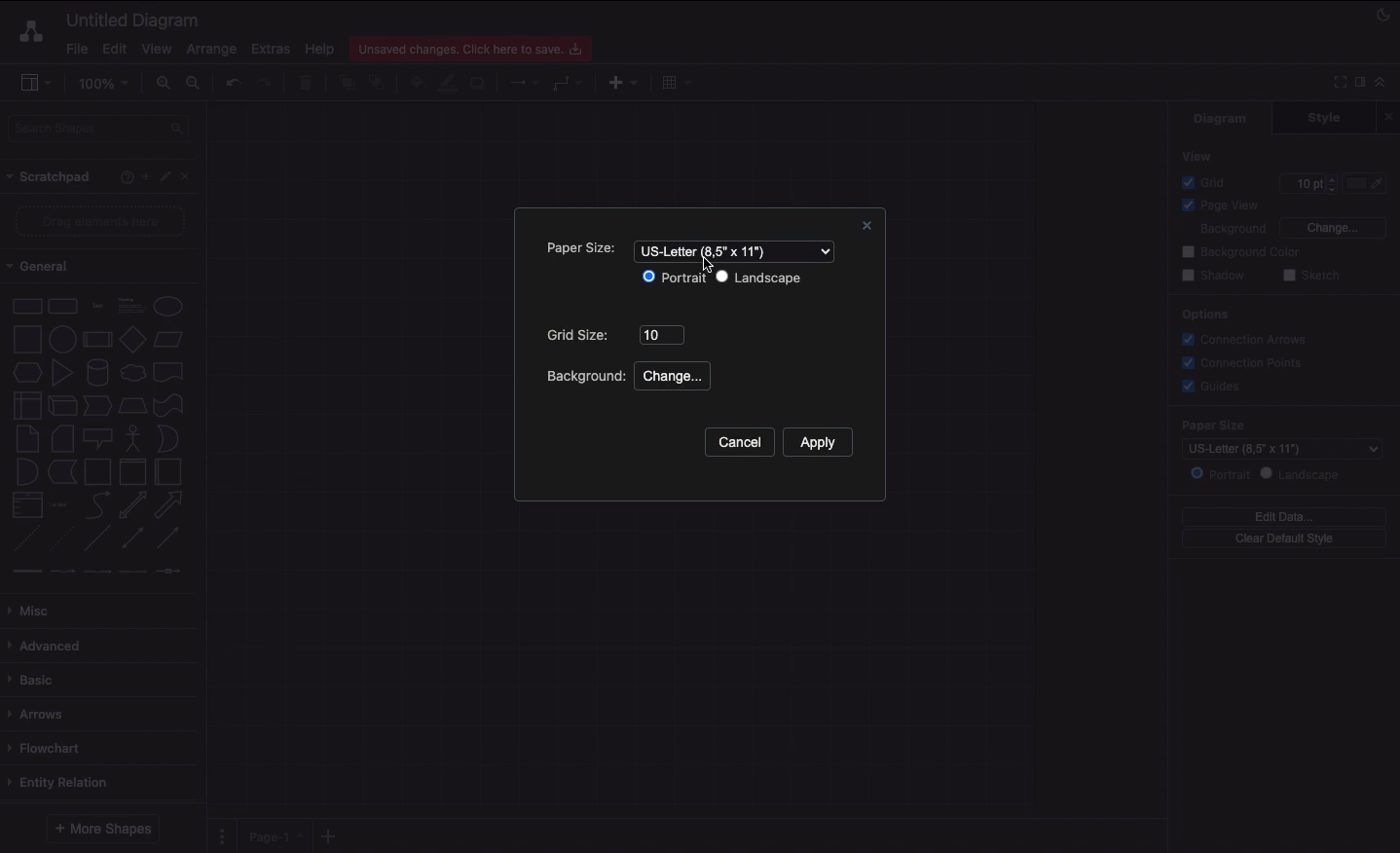  Describe the element at coordinates (168, 437) in the screenshot. I see `Or` at that location.